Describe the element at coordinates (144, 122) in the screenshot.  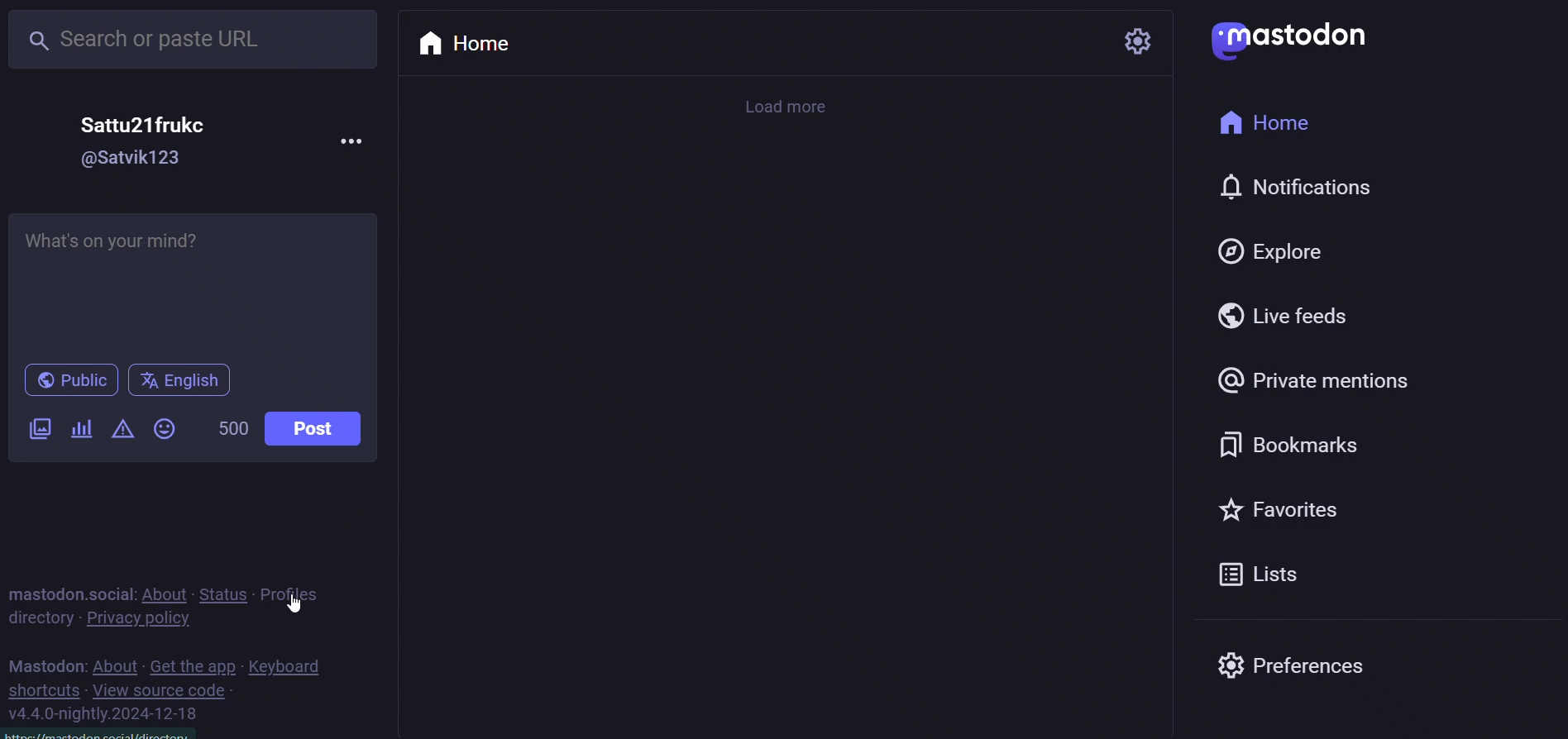
I see `user name` at that location.